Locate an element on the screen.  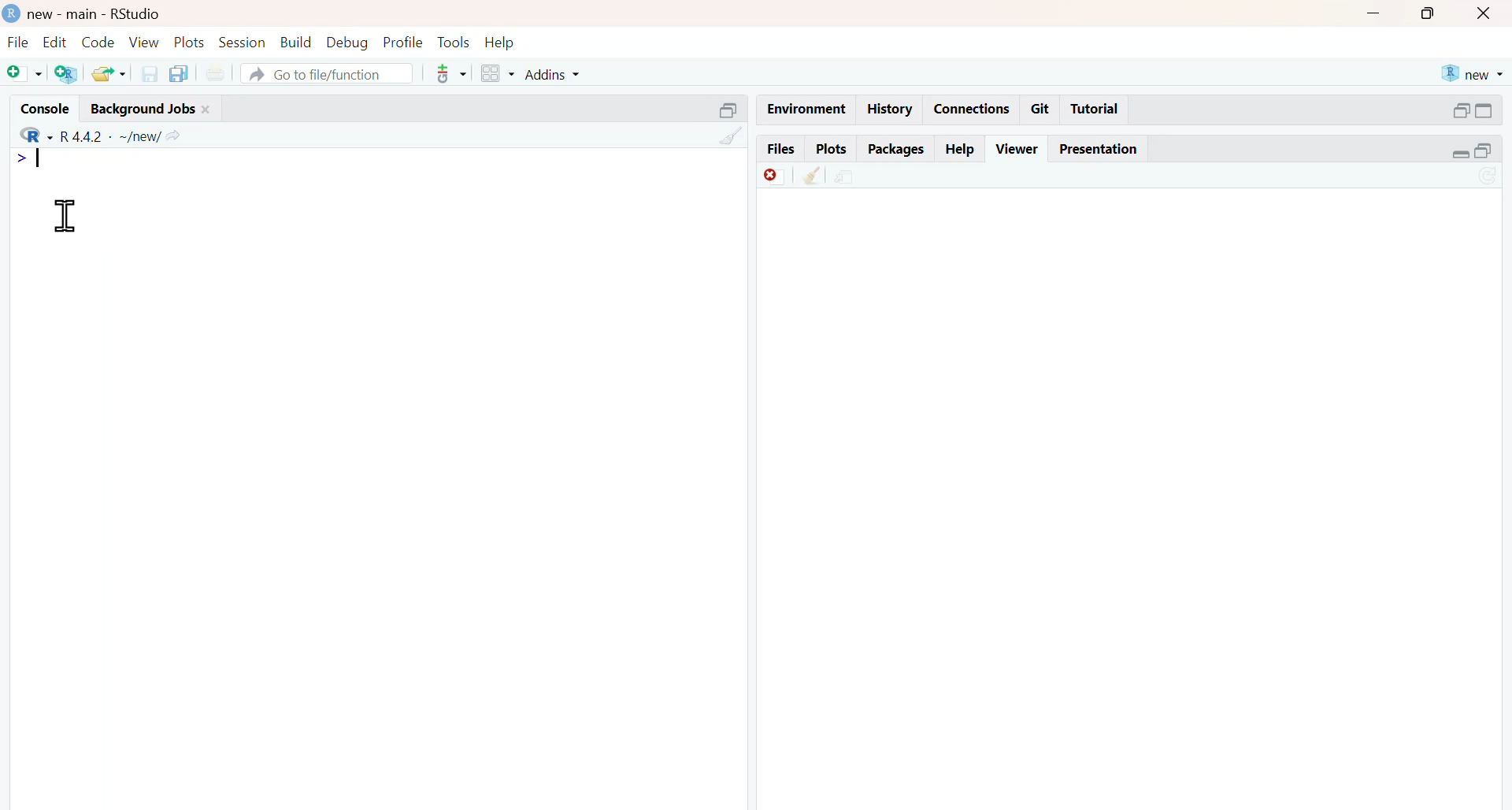
copy is located at coordinates (178, 74).